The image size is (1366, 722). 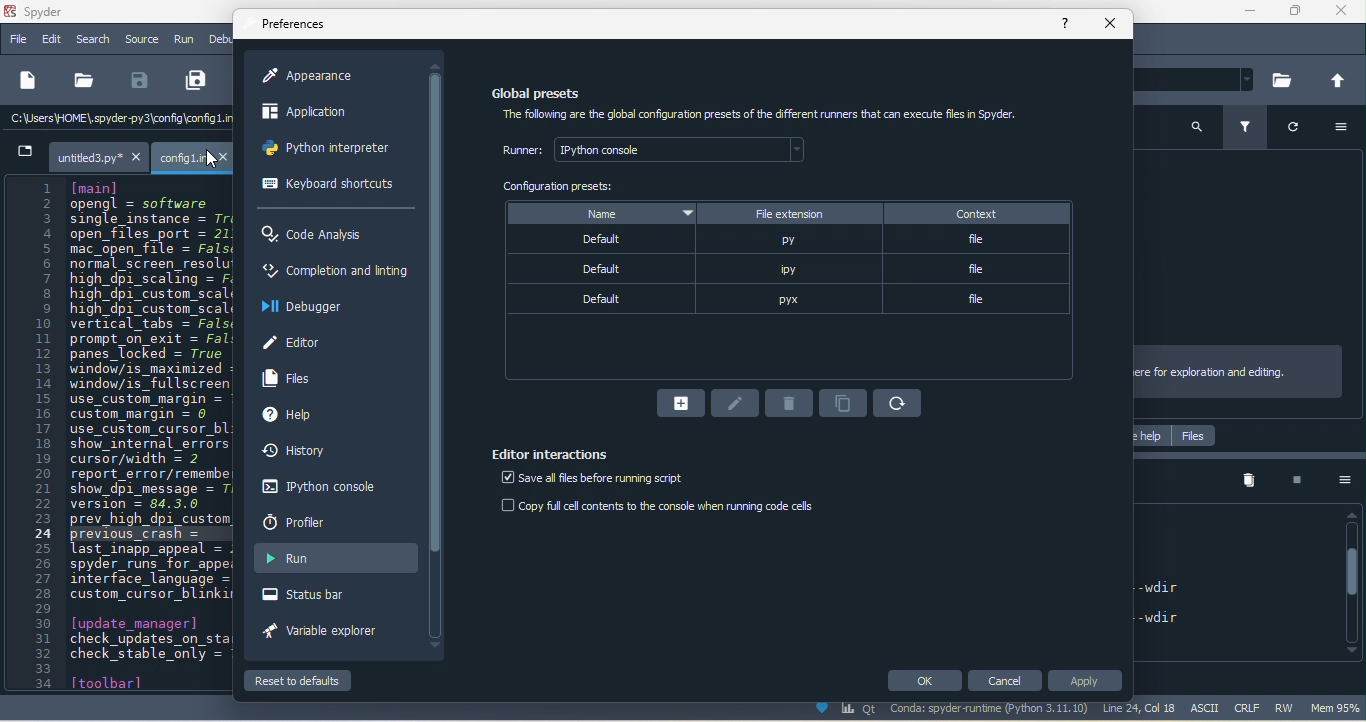 I want to click on filter, so click(x=1248, y=130).